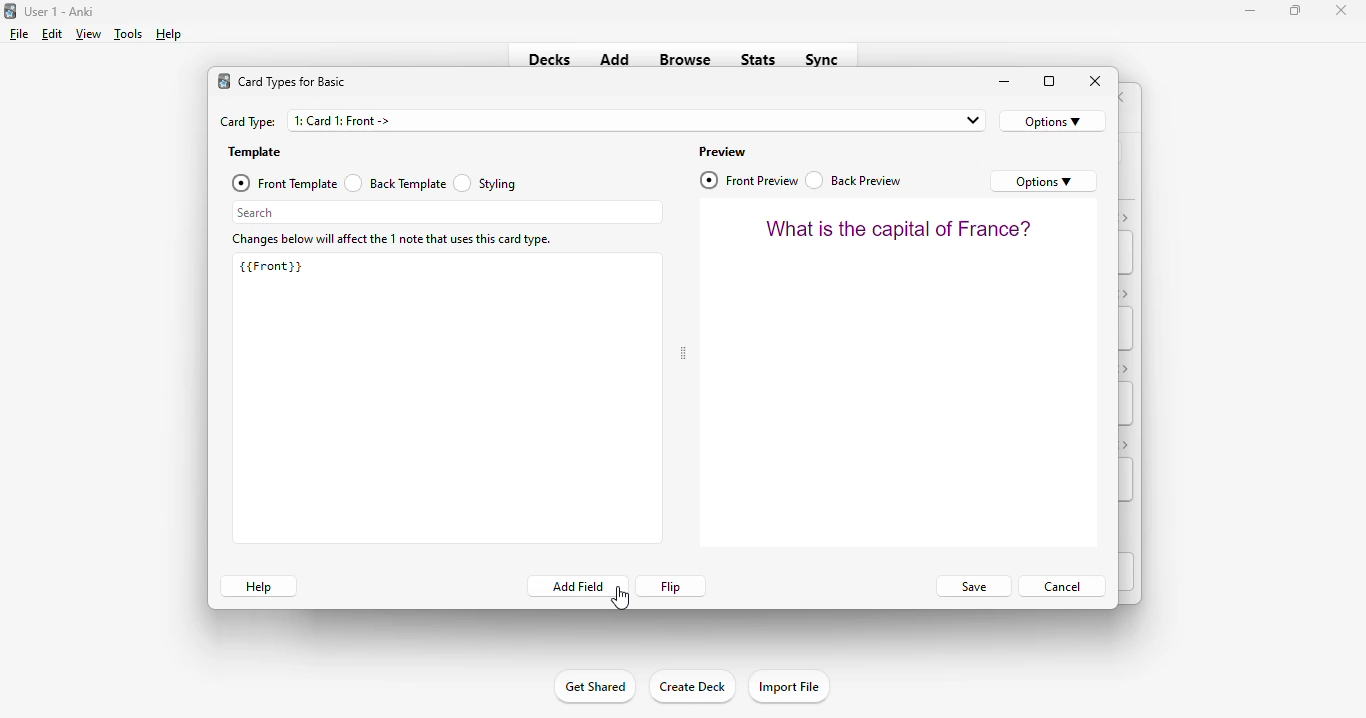 The image size is (1366, 718). Describe the element at coordinates (723, 152) in the screenshot. I see `preview` at that location.